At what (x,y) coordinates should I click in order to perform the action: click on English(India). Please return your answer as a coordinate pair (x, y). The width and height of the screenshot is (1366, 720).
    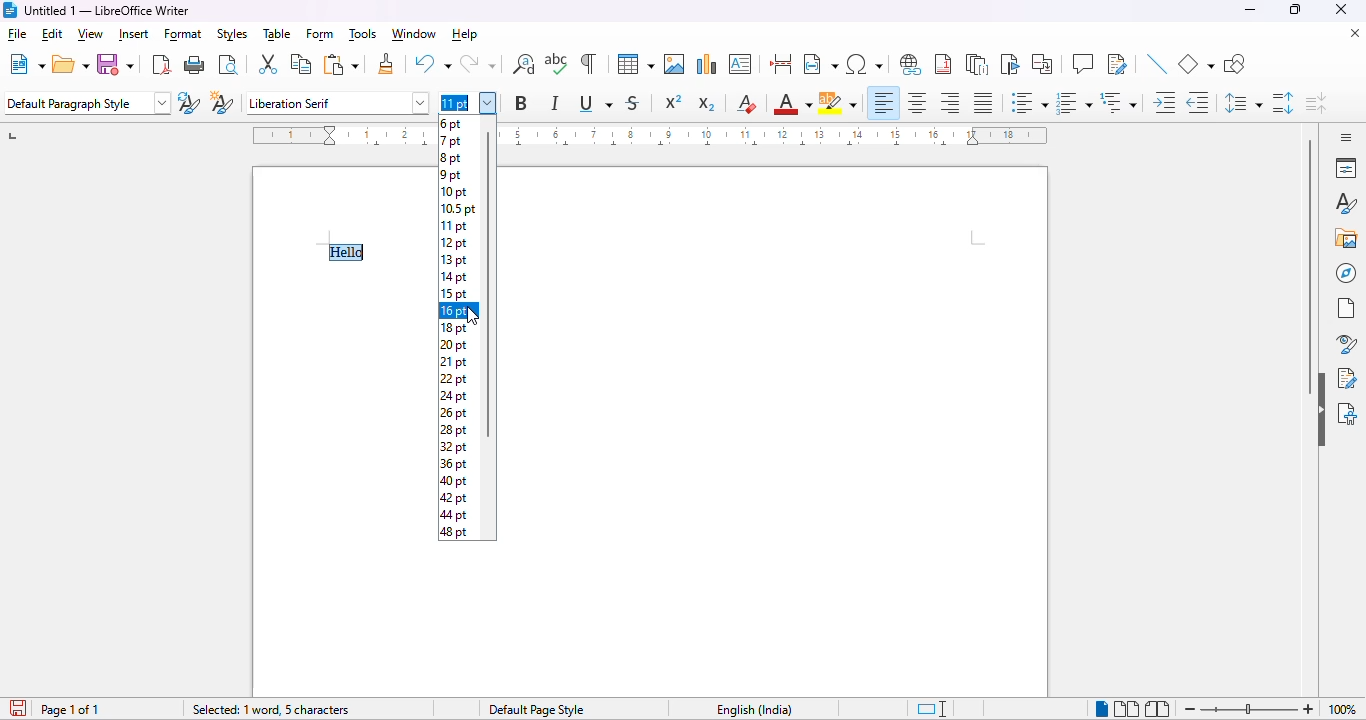
    Looking at the image, I should click on (756, 710).